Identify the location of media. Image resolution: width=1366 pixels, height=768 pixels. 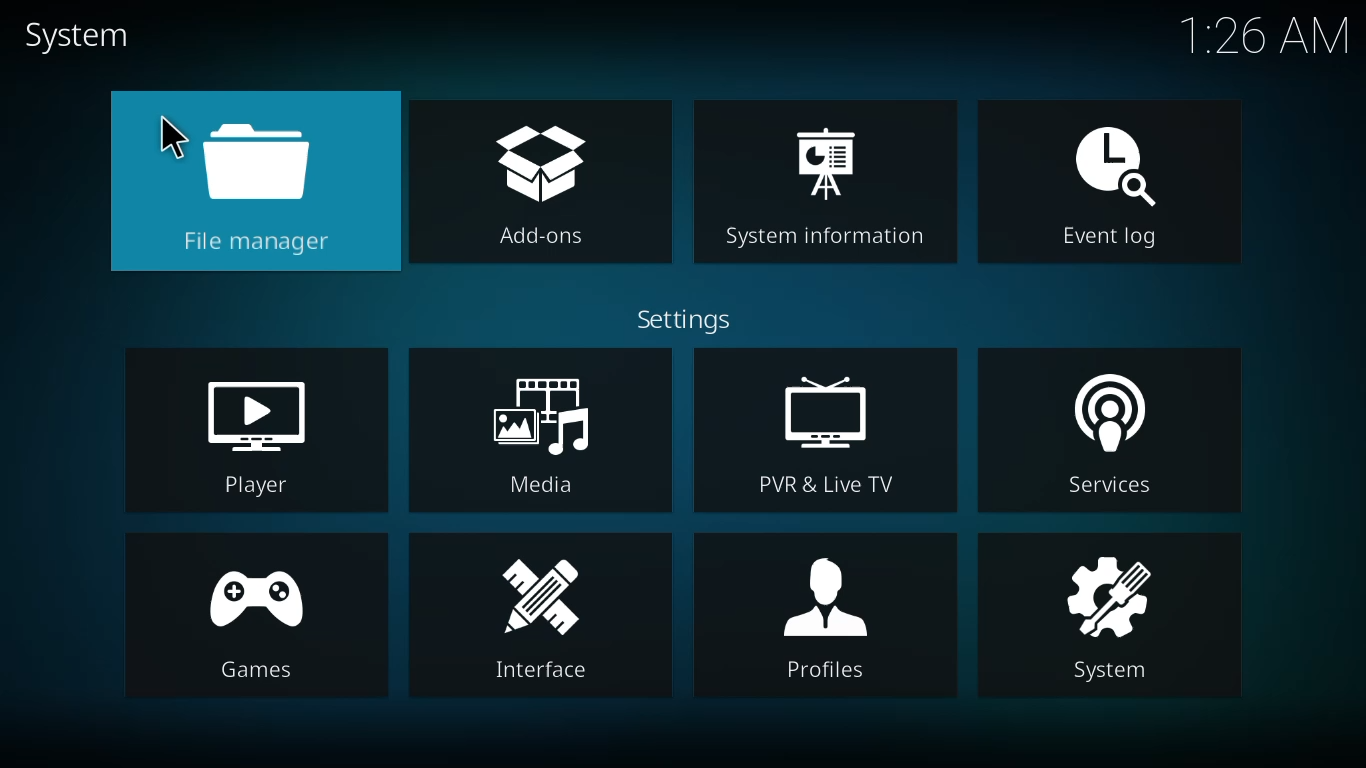
(548, 430).